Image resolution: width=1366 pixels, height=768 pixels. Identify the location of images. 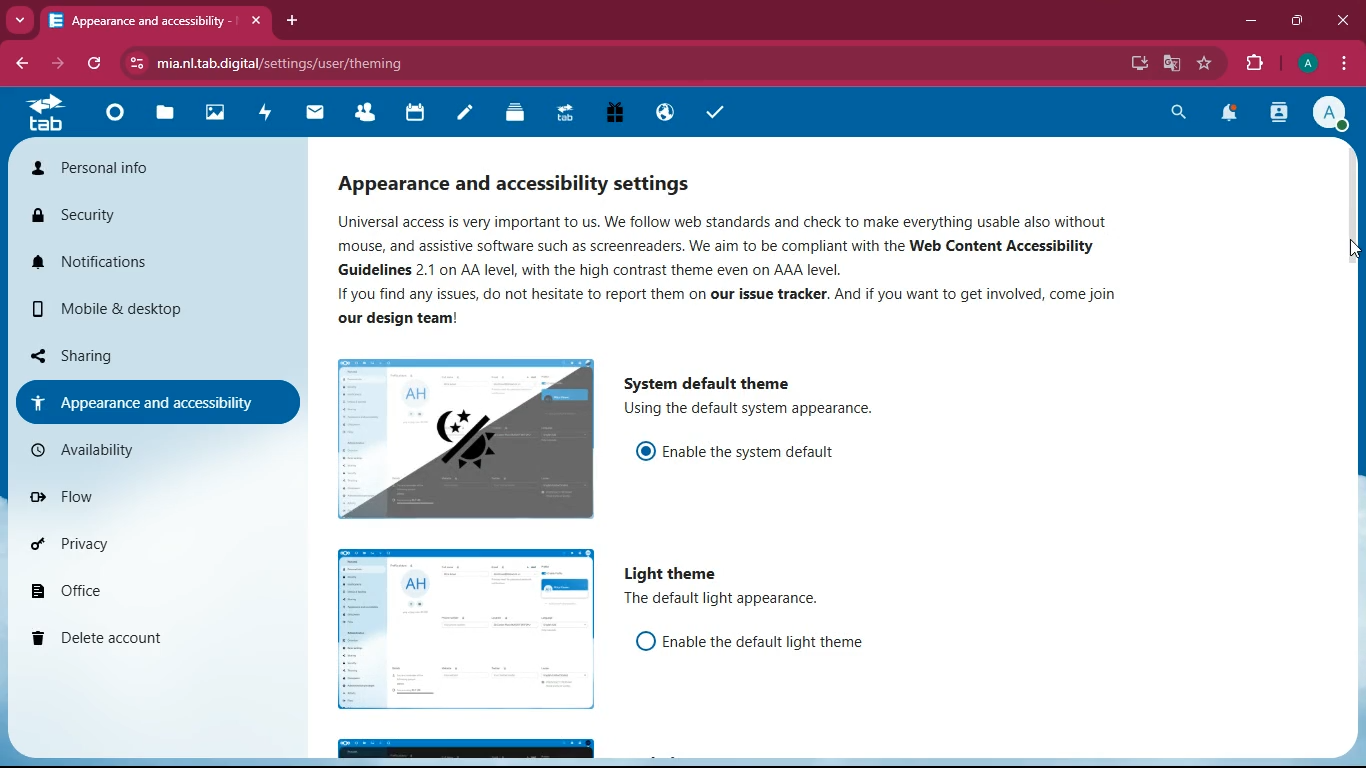
(215, 113).